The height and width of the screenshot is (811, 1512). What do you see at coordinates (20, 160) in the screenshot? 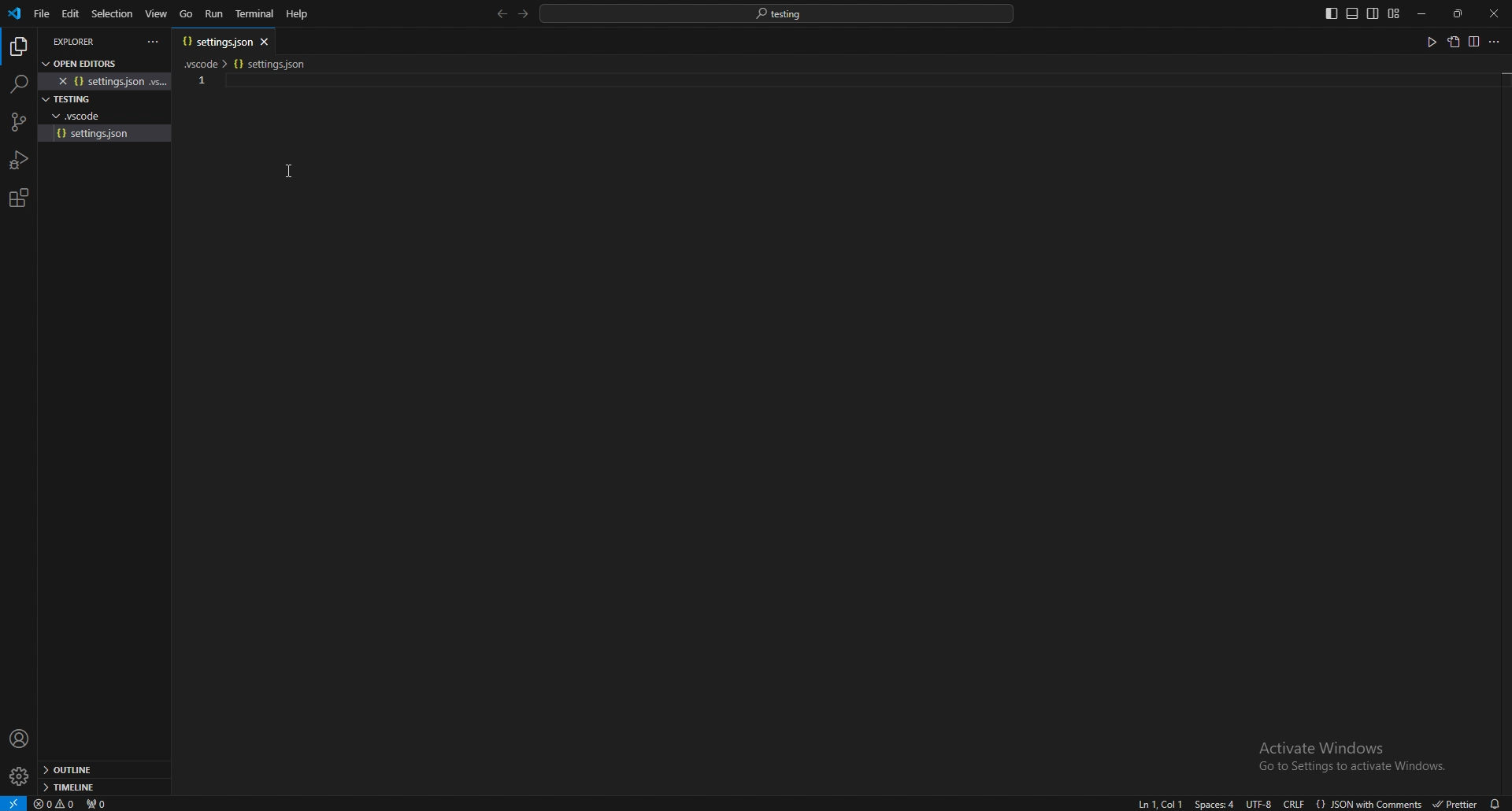
I see `run and debug` at bounding box center [20, 160].